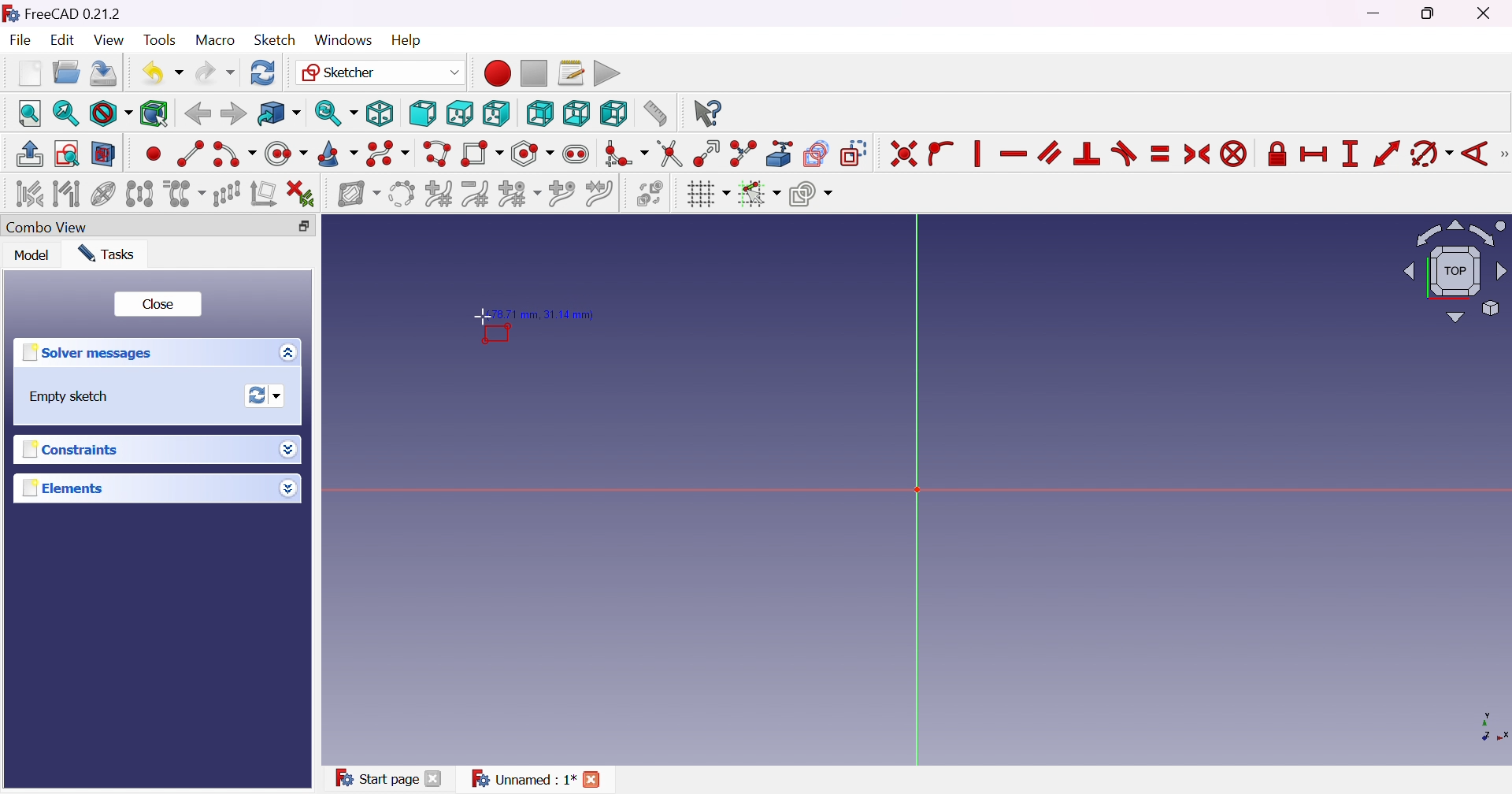 The width and height of the screenshot is (1512, 794). I want to click on Toggle grid, so click(707, 195).